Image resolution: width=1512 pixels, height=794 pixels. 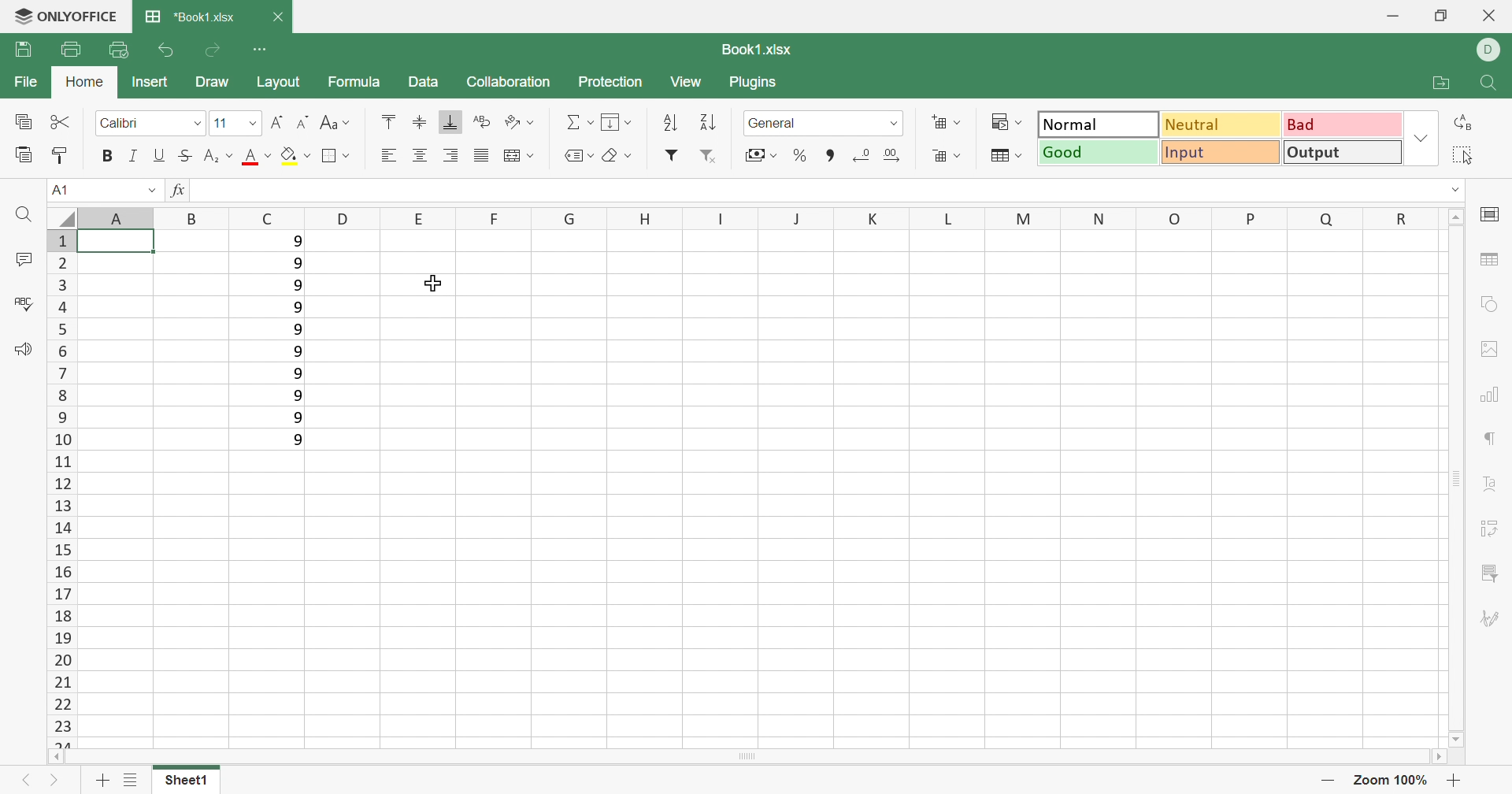 I want to click on table settings, so click(x=1492, y=258).